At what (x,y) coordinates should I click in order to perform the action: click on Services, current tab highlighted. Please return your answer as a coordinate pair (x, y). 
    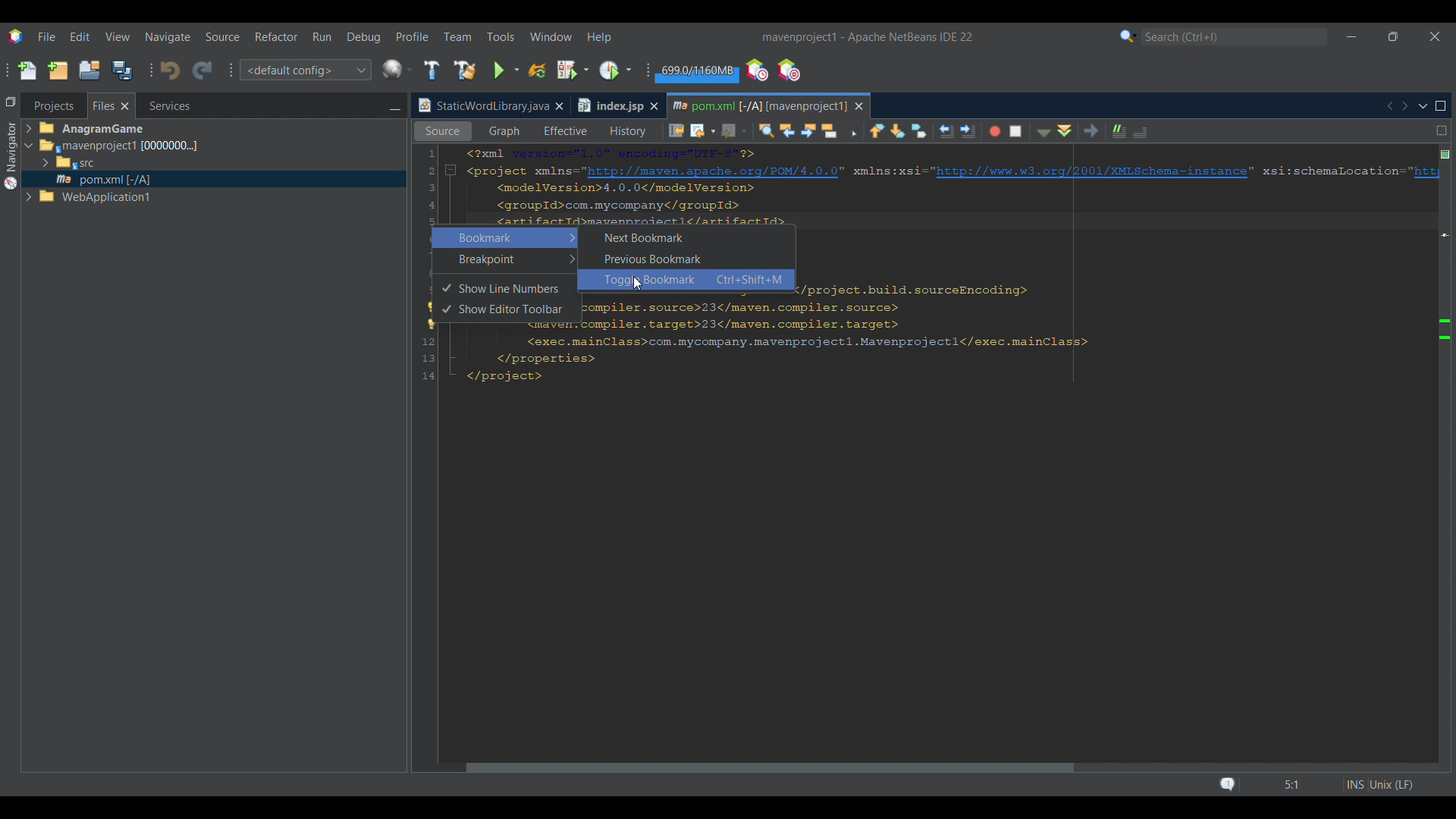
    Looking at the image, I should click on (162, 105).